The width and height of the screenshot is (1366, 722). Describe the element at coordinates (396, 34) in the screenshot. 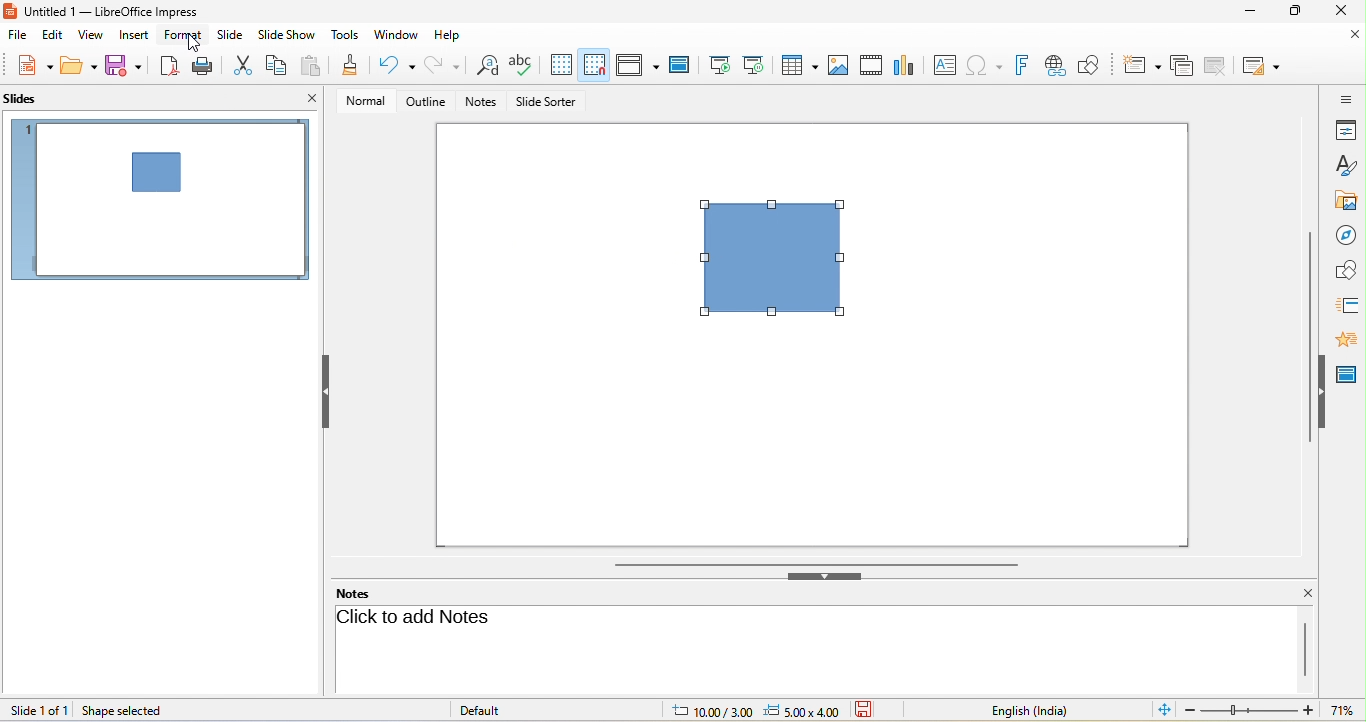

I see `window` at that location.